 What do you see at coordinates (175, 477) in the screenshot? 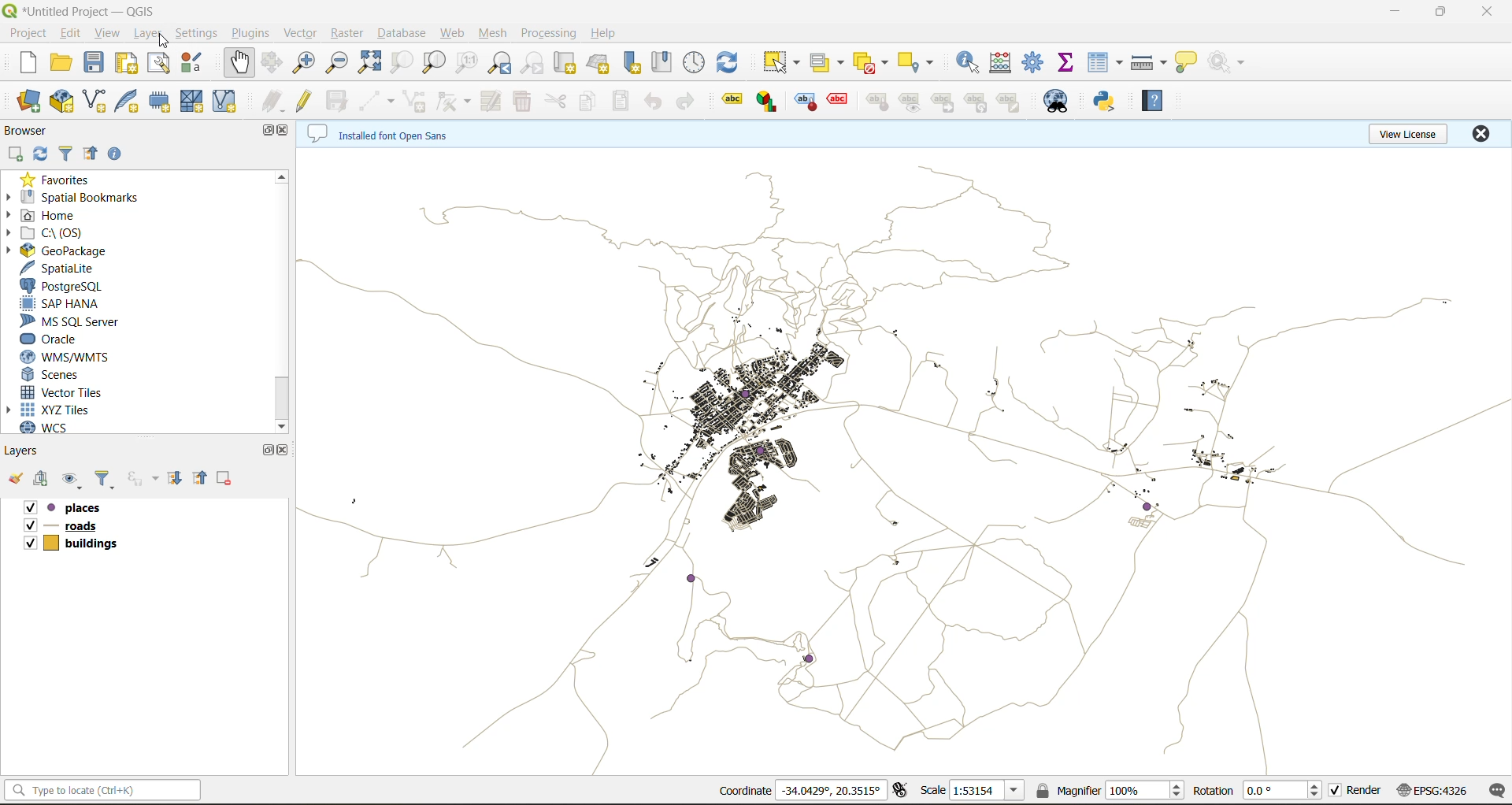
I see `expand all` at bounding box center [175, 477].